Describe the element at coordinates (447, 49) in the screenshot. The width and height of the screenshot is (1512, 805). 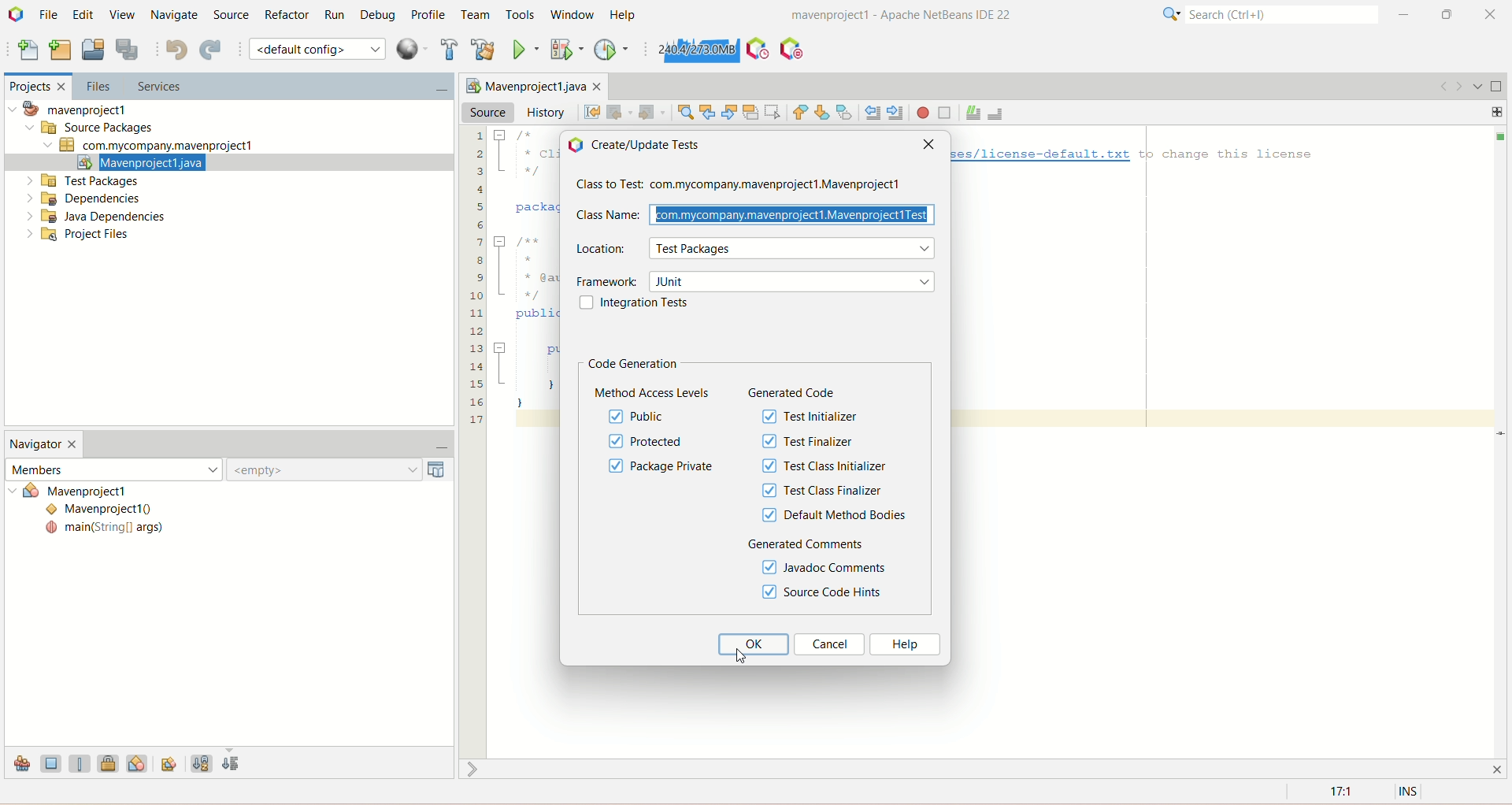
I see `build project` at that location.